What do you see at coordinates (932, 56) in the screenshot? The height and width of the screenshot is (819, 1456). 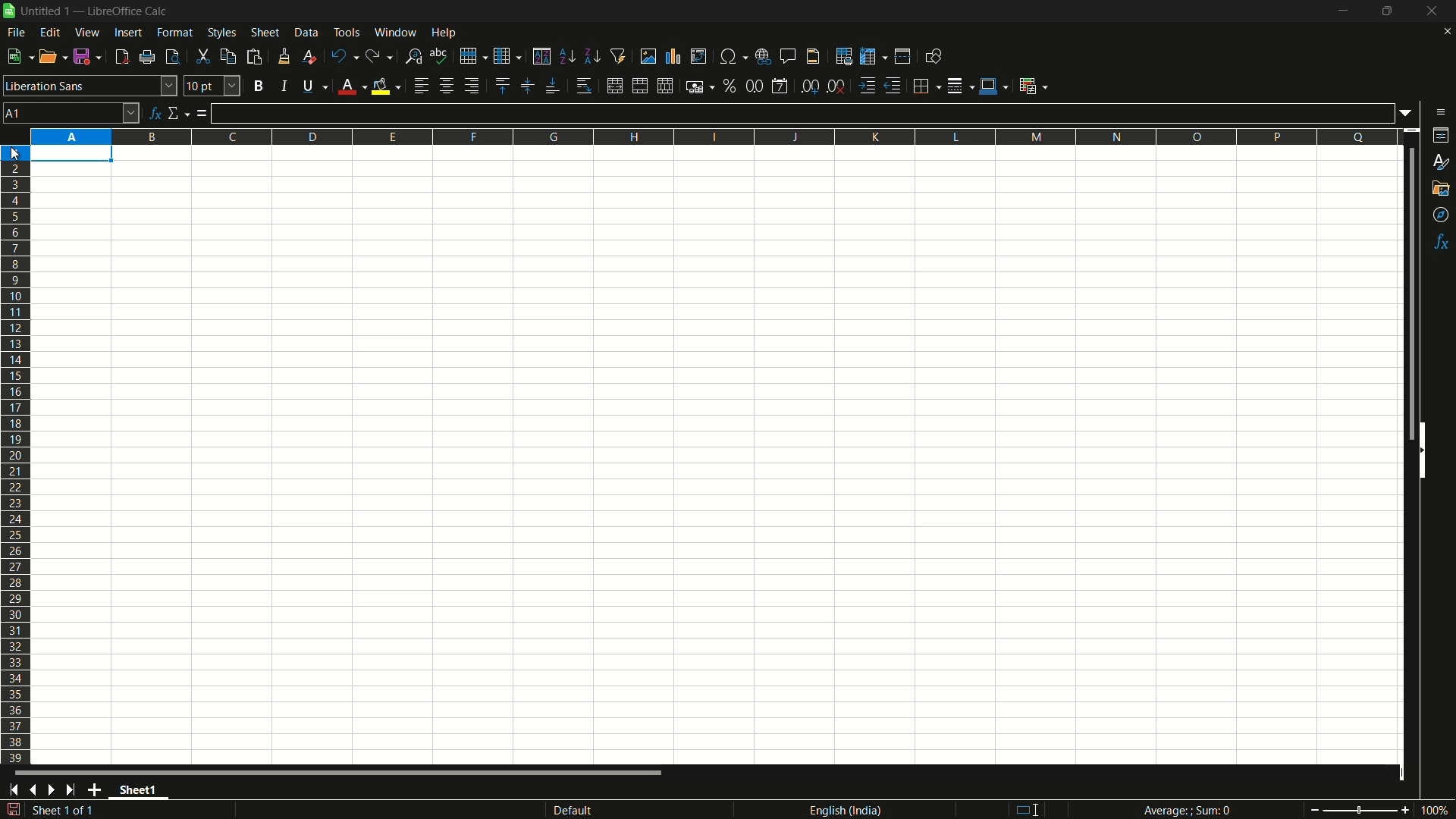 I see `show draw functions` at bounding box center [932, 56].